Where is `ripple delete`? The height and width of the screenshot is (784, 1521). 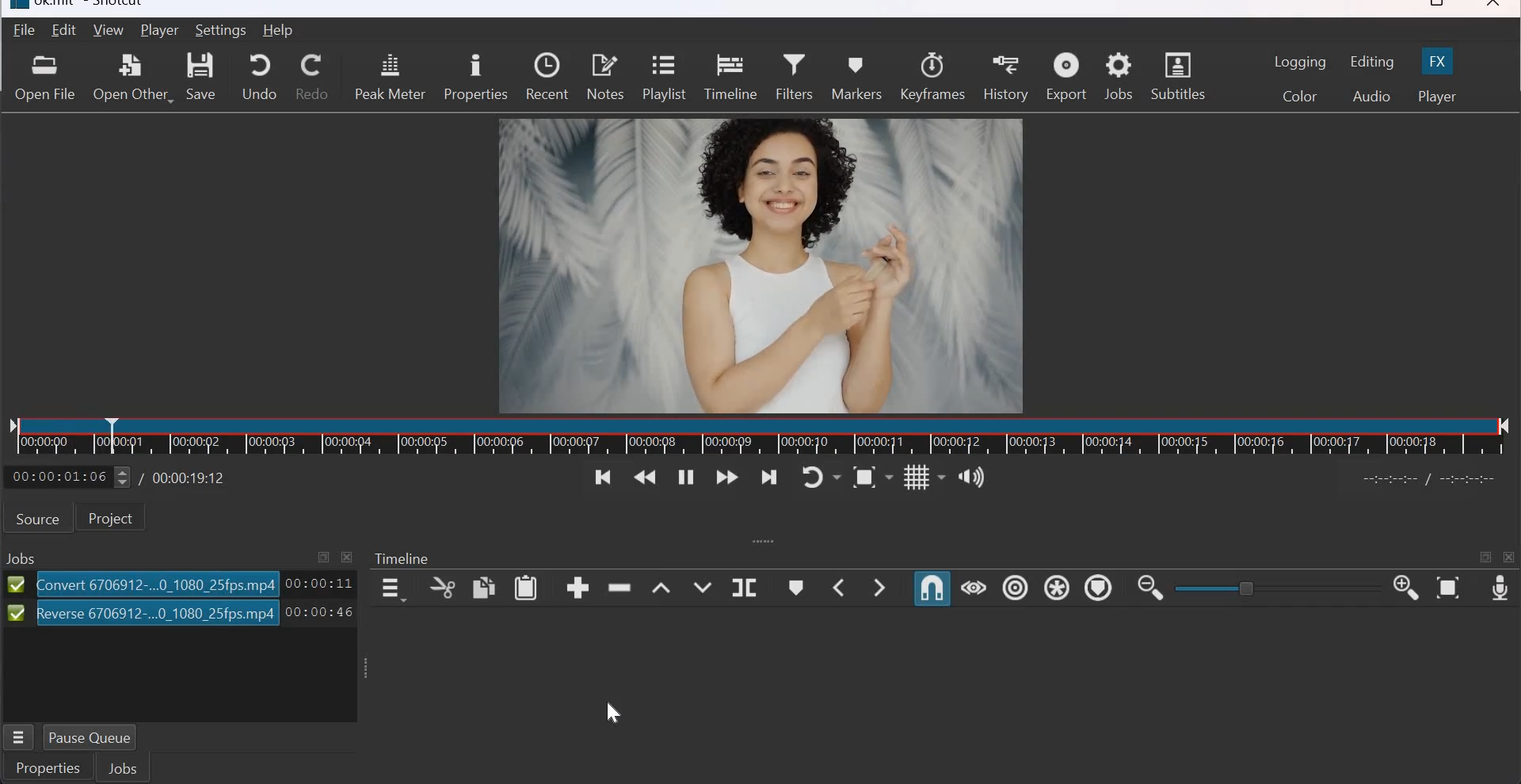 ripple delete is located at coordinates (621, 588).